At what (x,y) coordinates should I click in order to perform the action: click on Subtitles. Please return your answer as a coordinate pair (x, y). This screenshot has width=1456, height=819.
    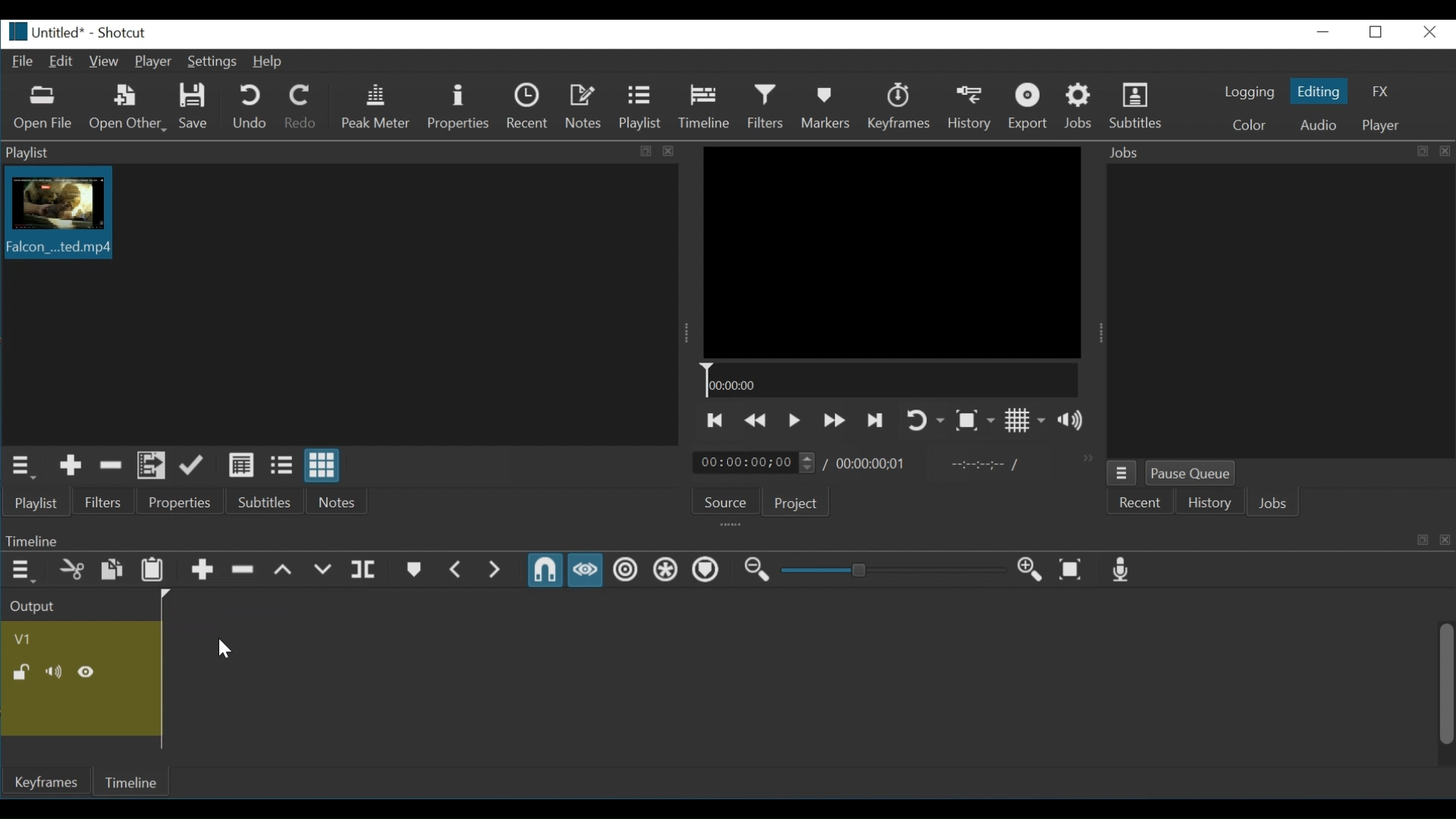
    Looking at the image, I should click on (271, 500).